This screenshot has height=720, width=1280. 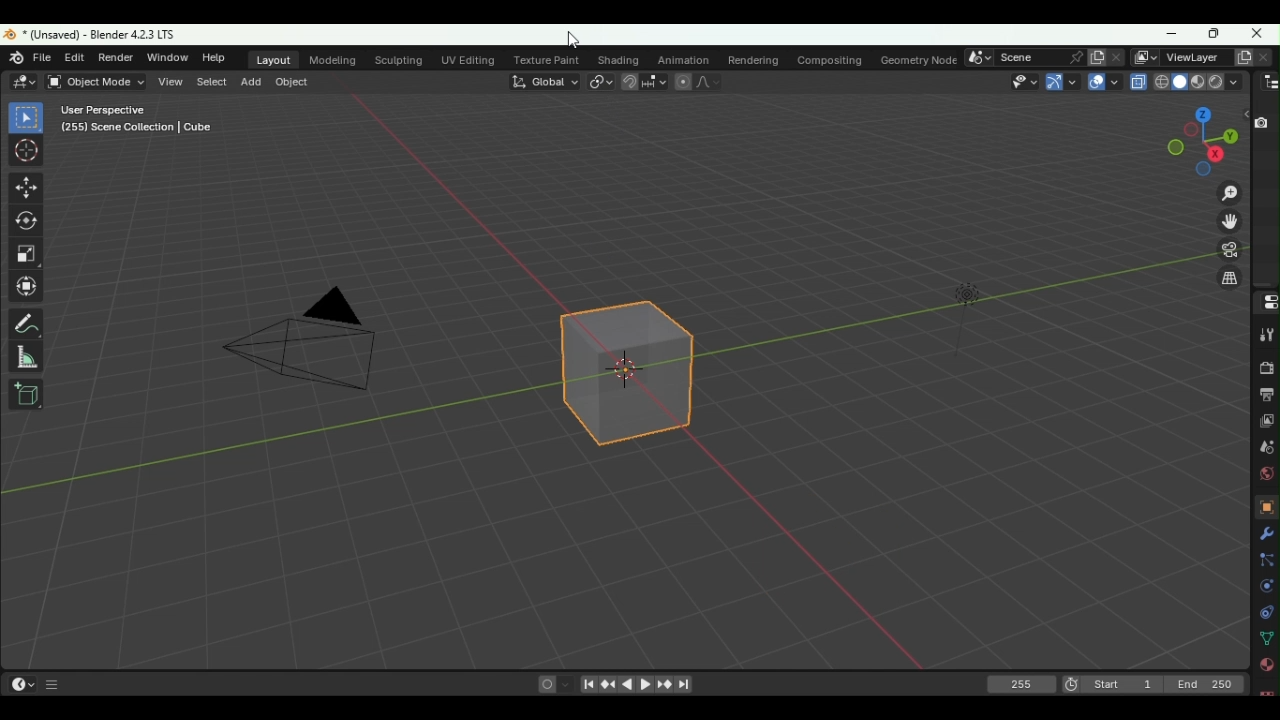 I want to click on Select, so click(x=210, y=80).